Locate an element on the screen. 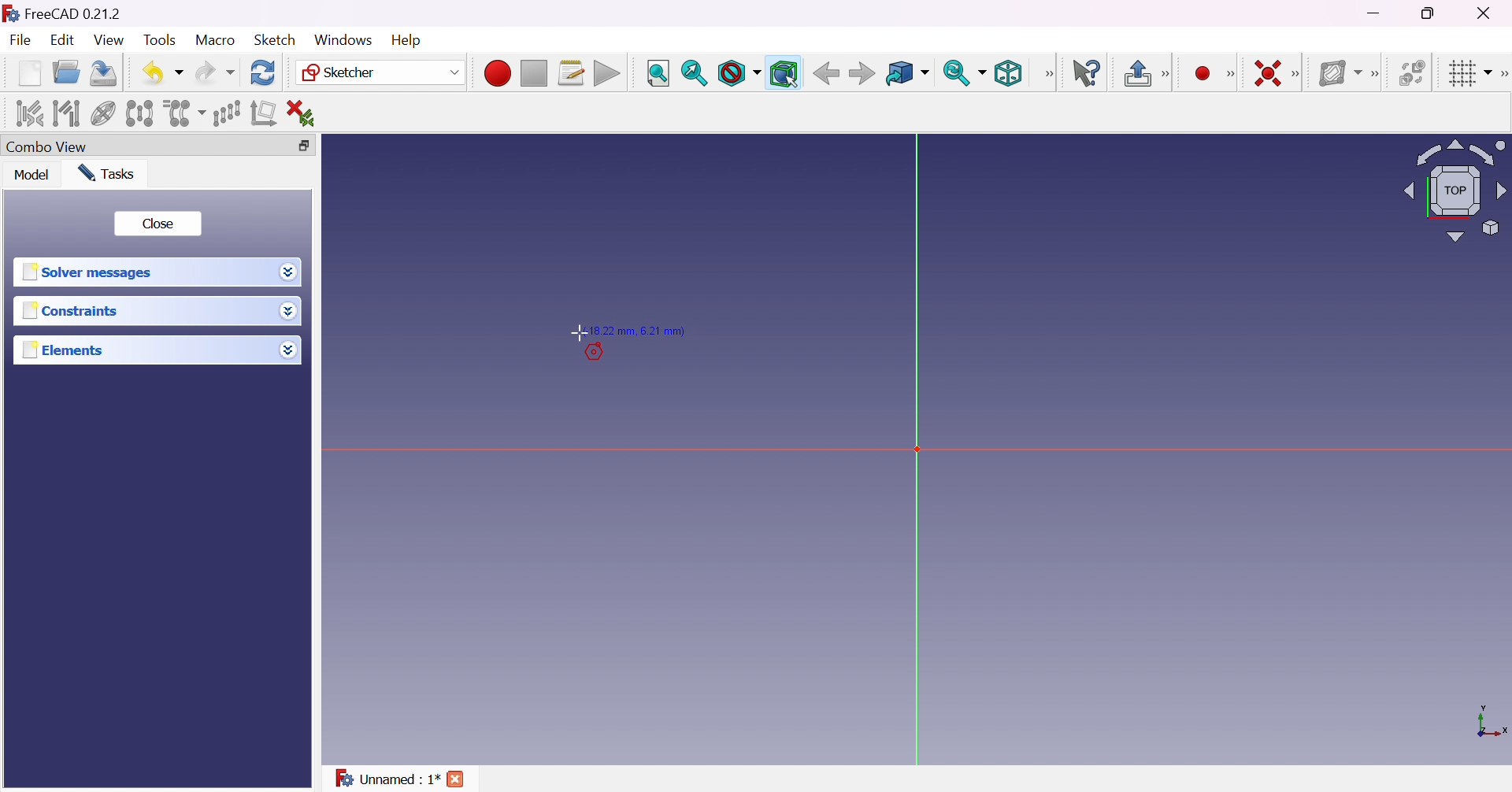 Image resolution: width=1512 pixels, height=792 pixels. Execute macro is located at coordinates (607, 75).